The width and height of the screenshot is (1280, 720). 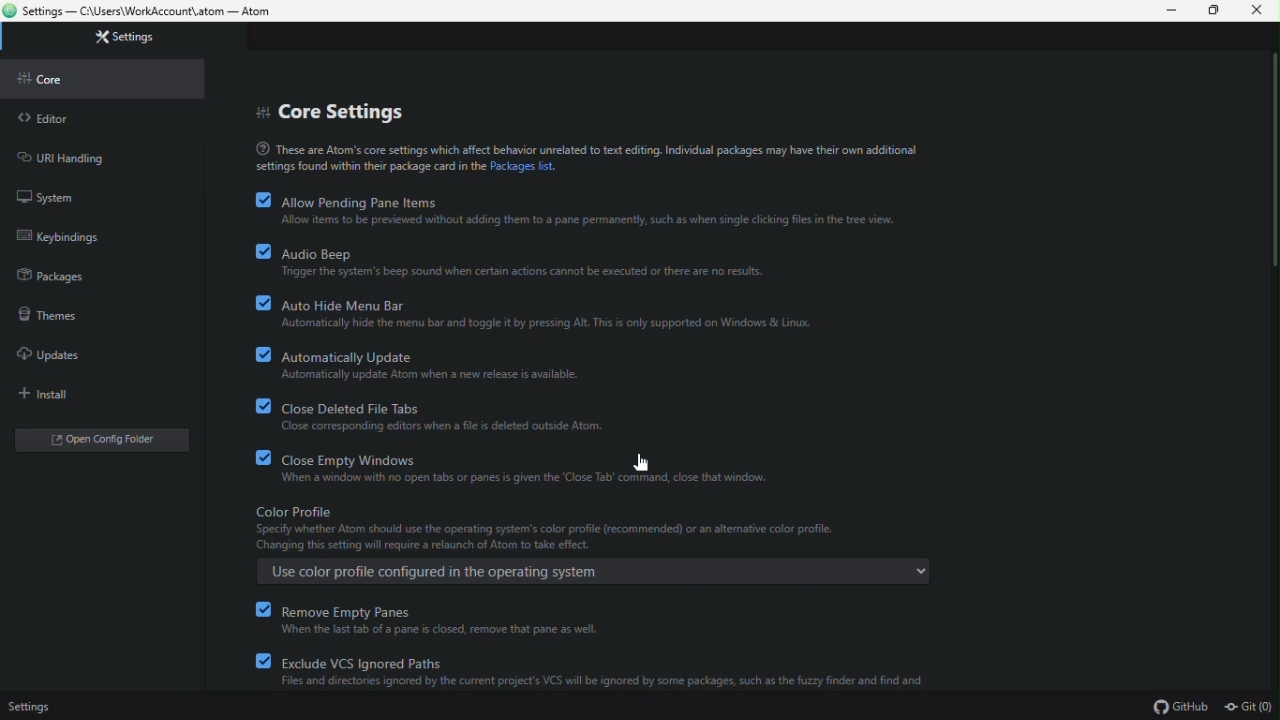 What do you see at coordinates (96, 194) in the screenshot?
I see `System` at bounding box center [96, 194].